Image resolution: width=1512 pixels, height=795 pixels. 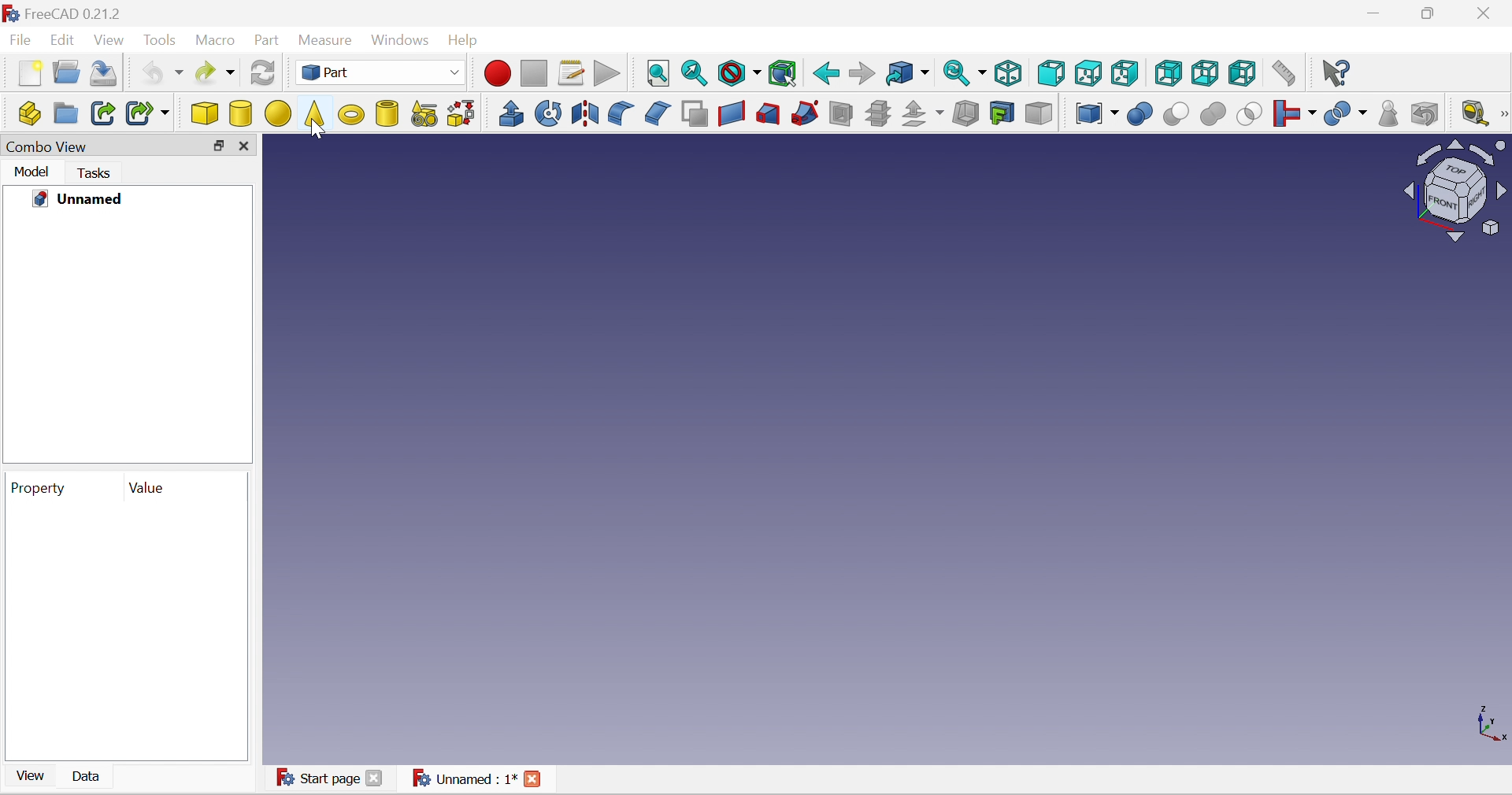 What do you see at coordinates (261, 72) in the screenshot?
I see `Refresh` at bounding box center [261, 72].